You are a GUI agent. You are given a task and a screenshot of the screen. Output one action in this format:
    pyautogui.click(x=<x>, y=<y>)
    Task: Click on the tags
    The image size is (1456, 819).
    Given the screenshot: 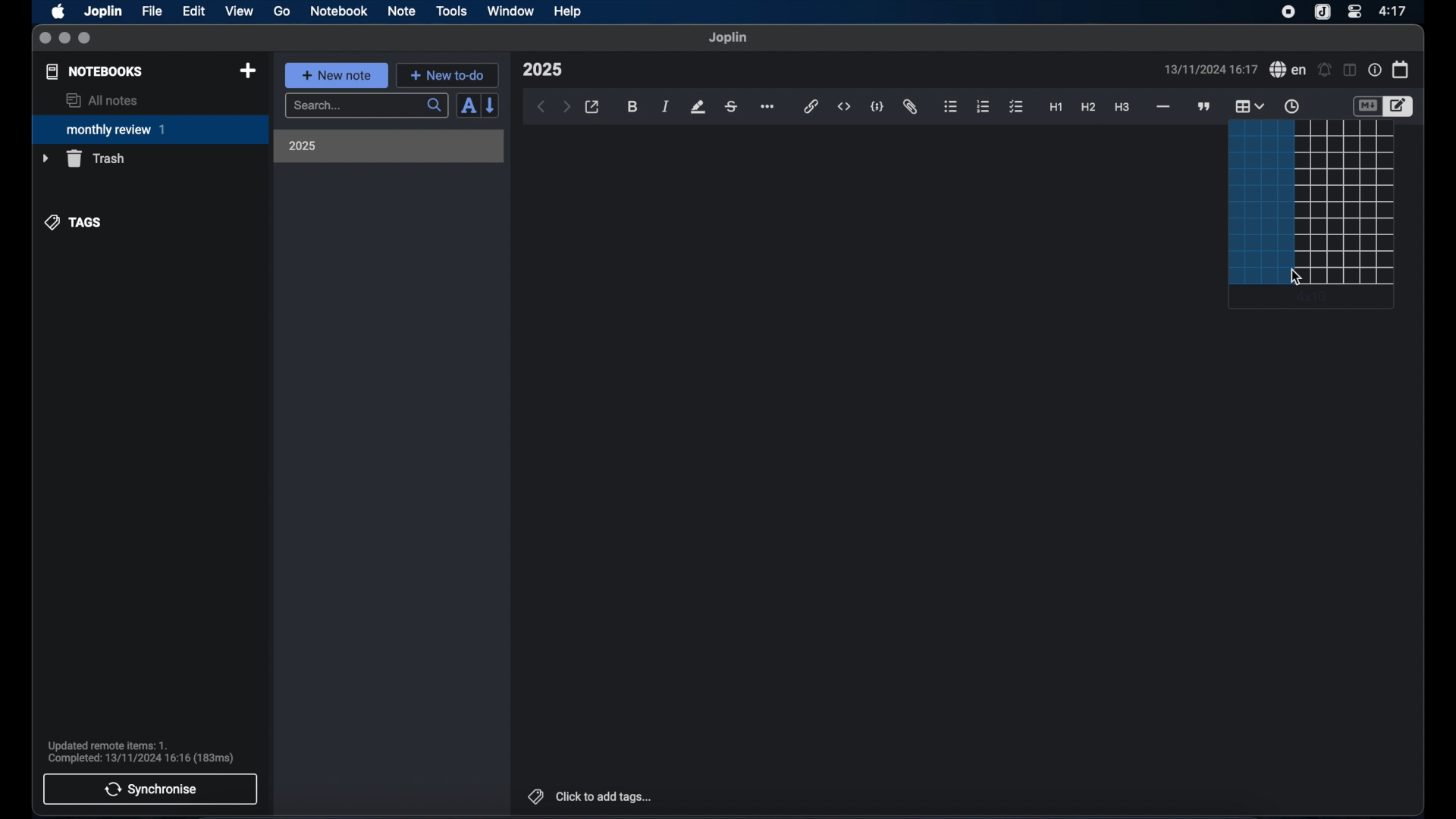 What is the action you would take?
    pyautogui.click(x=74, y=222)
    